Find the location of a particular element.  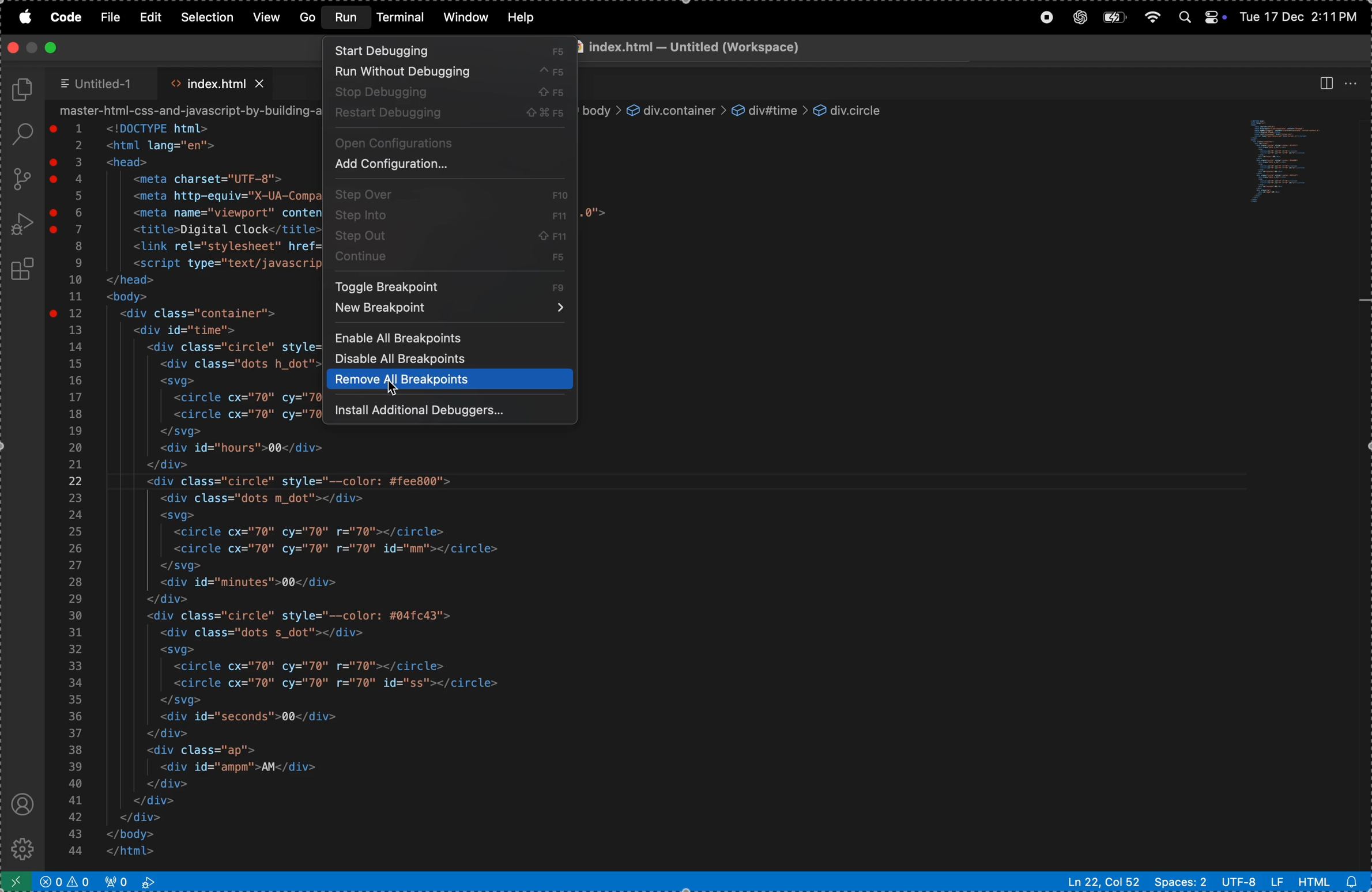

html is located at coordinates (1330, 882).